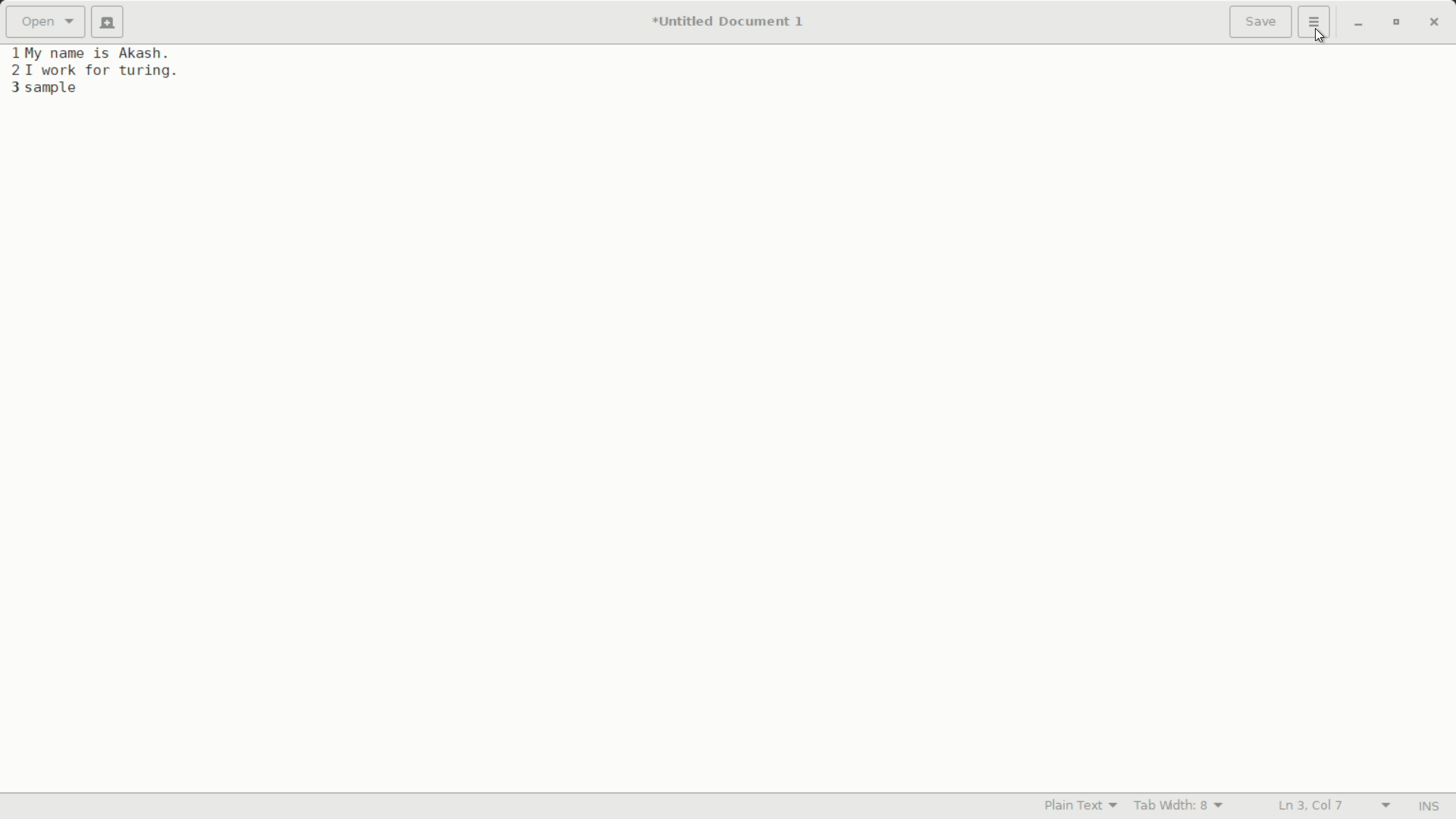  What do you see at coordinates (1395, 23) in the screenshot?
I see `maximize or restore` at bounding box center [1395, 23].